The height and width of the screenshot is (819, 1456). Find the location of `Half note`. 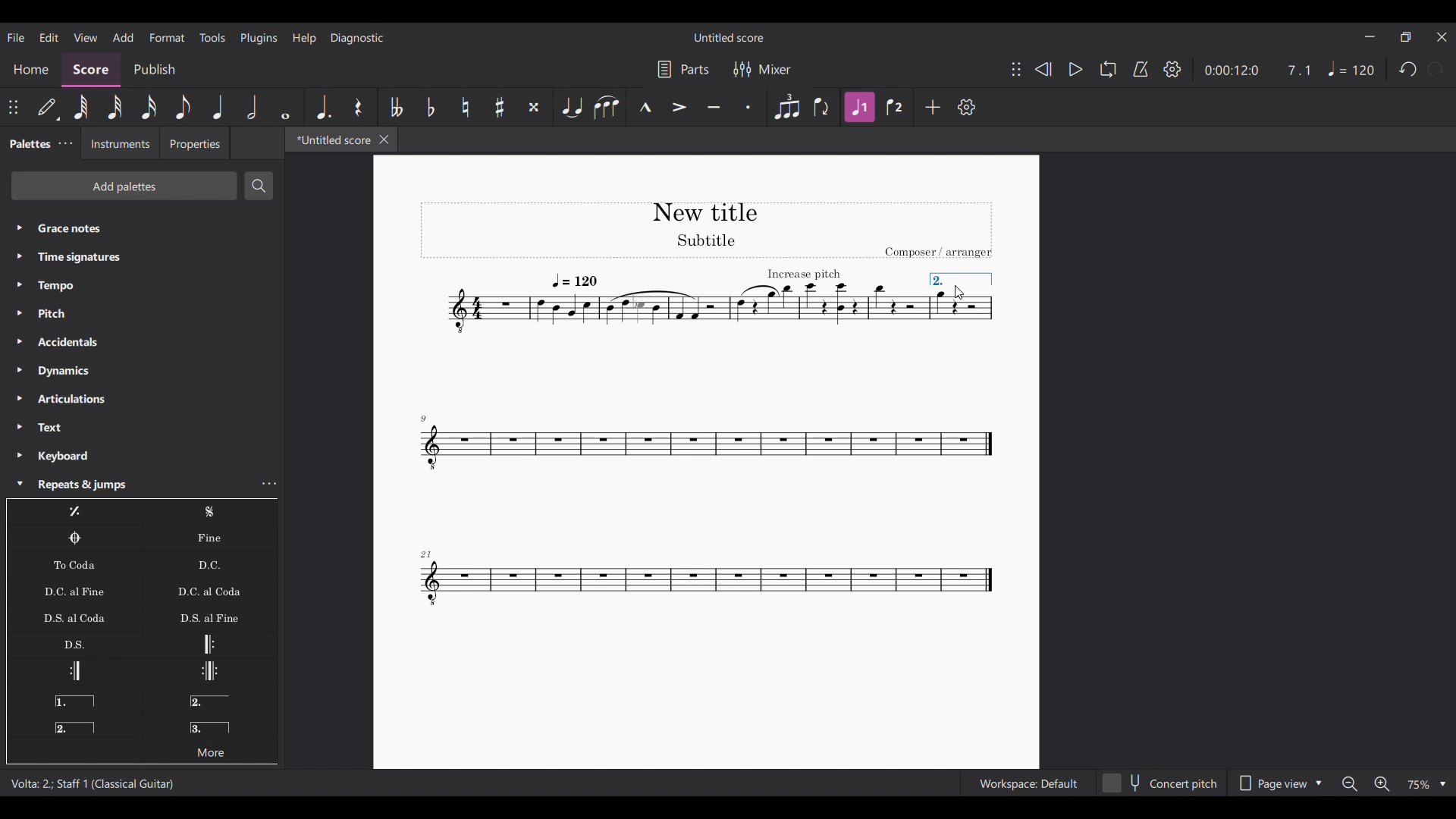

Half note is located at coordinates (253, 107).